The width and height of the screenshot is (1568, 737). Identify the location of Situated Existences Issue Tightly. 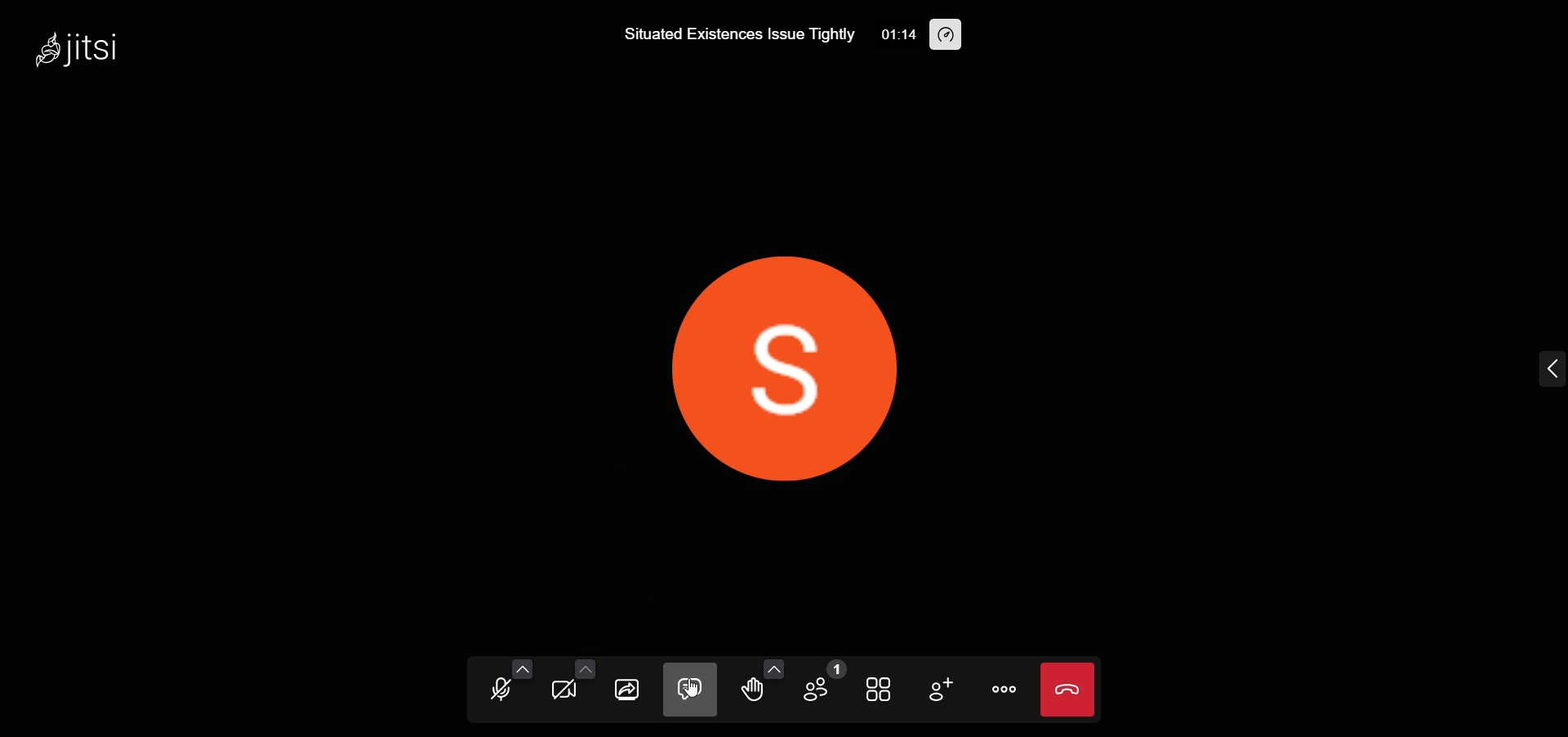
(738, 33).